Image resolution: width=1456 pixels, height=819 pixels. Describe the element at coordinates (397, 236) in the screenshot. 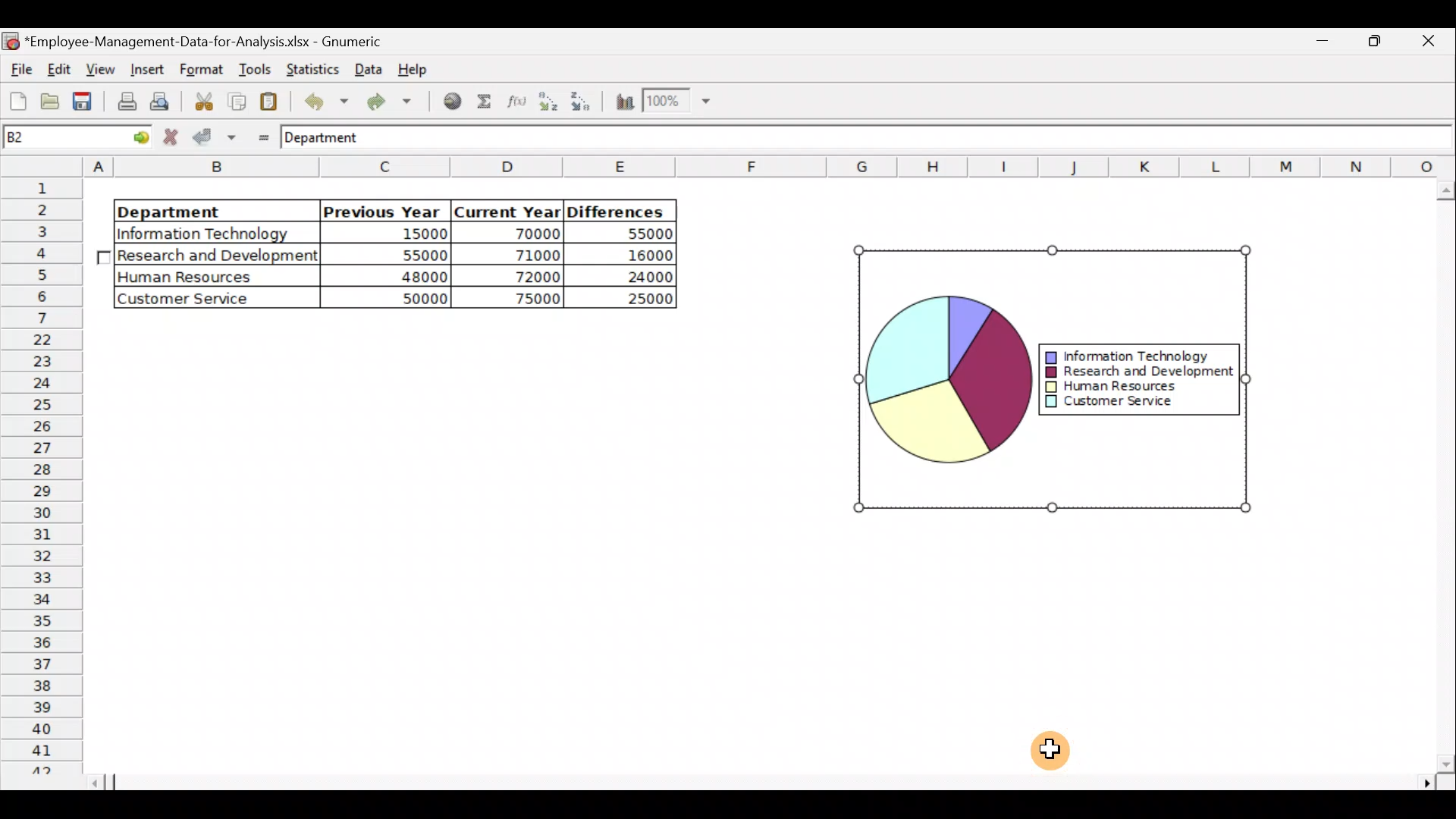

I see `15000` at that location.